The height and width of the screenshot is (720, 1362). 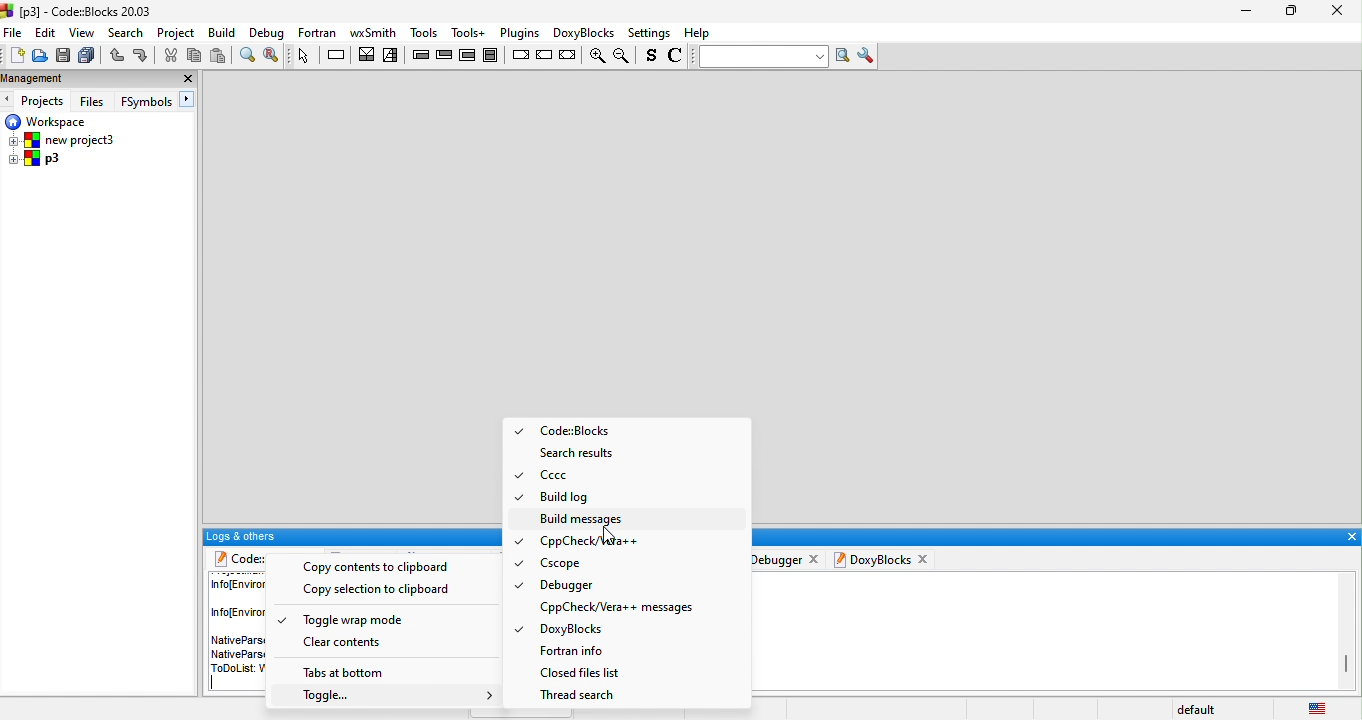 What do you see at coordinates (868, 56) in the screenshot?
I see `show options window` at bounding box center [868, 56].